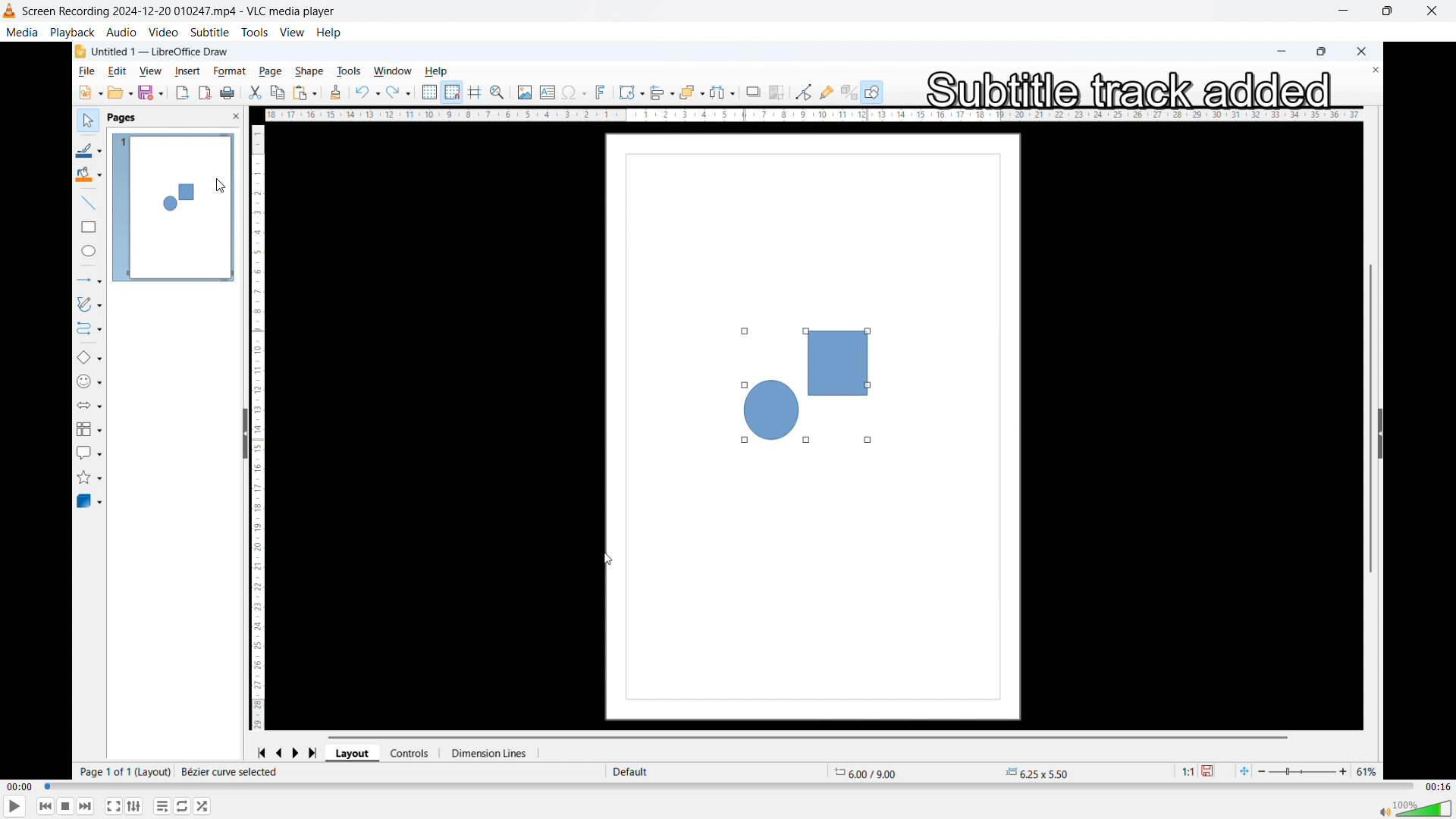  I want to click on export, so click(181, 93).